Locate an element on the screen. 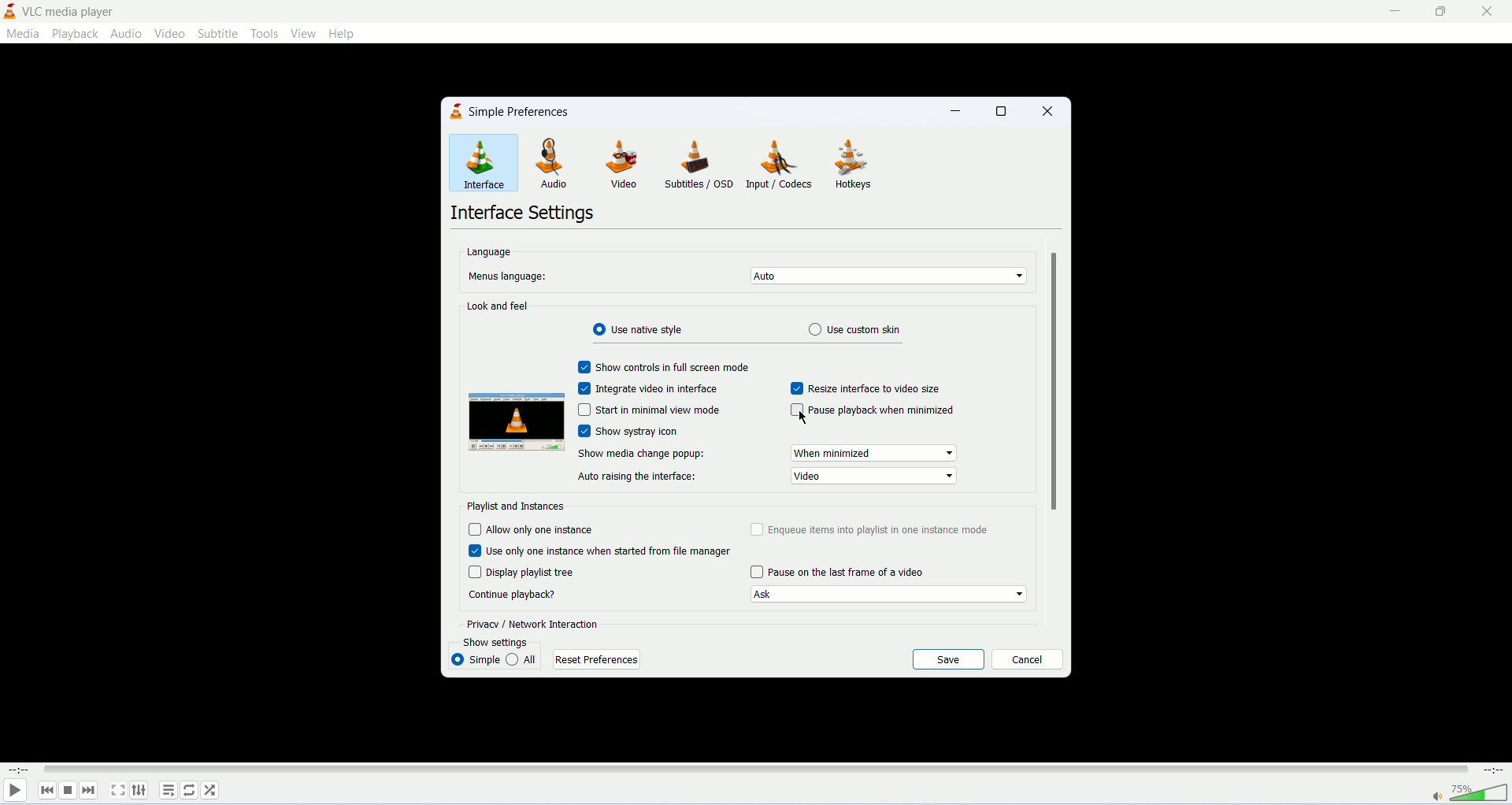 The image size is (1512, 805). enqueue items into playlist in one instance is located at coordinates (882, 531).